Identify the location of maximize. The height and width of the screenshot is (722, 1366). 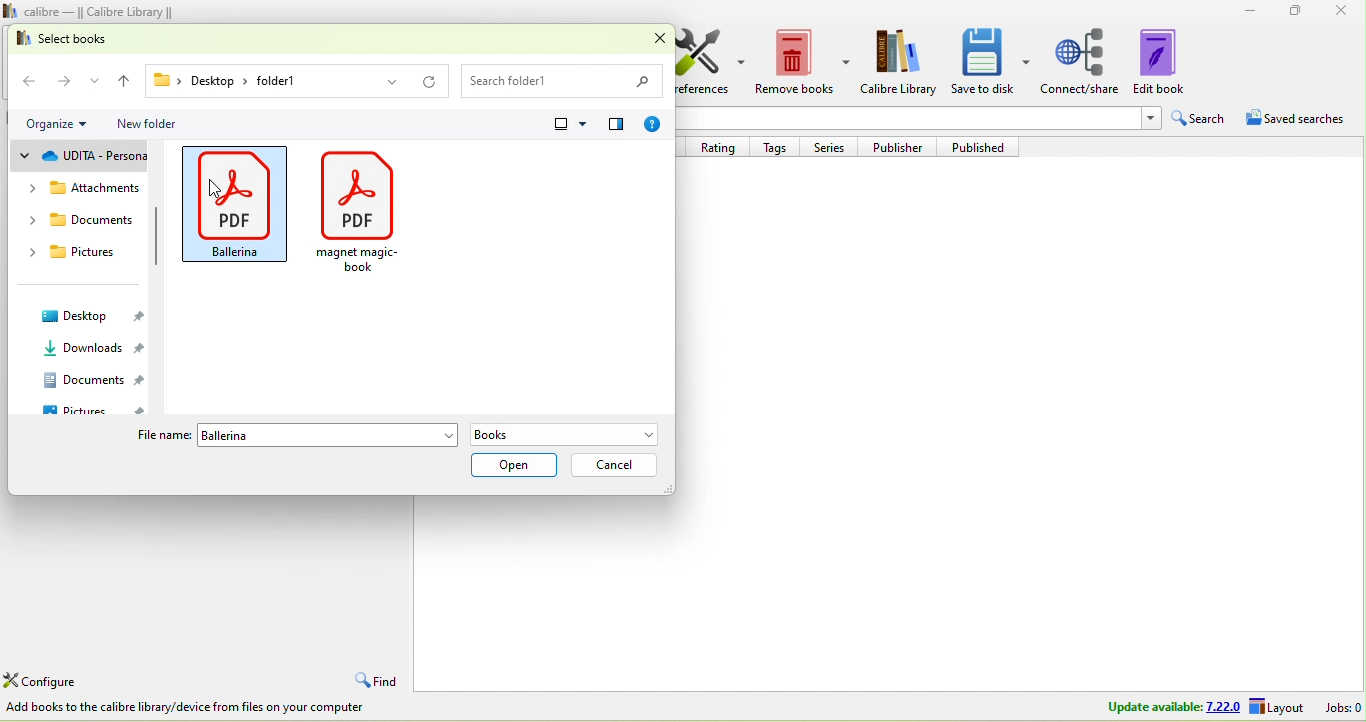
(1296, 12).